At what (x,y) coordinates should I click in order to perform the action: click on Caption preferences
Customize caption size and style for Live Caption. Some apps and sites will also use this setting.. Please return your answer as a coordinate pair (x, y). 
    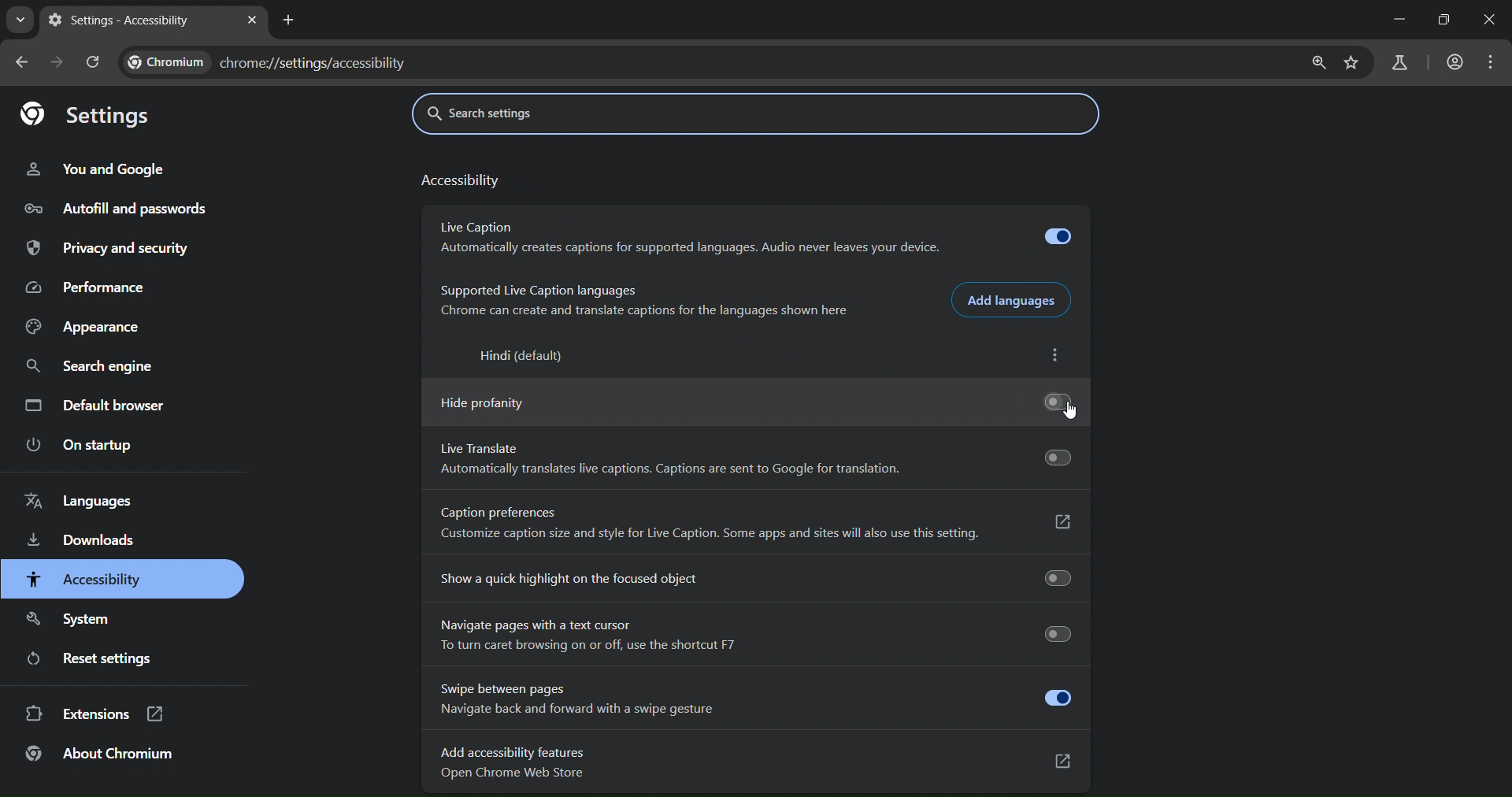
    Looking at the image, I should click on (758, 525).